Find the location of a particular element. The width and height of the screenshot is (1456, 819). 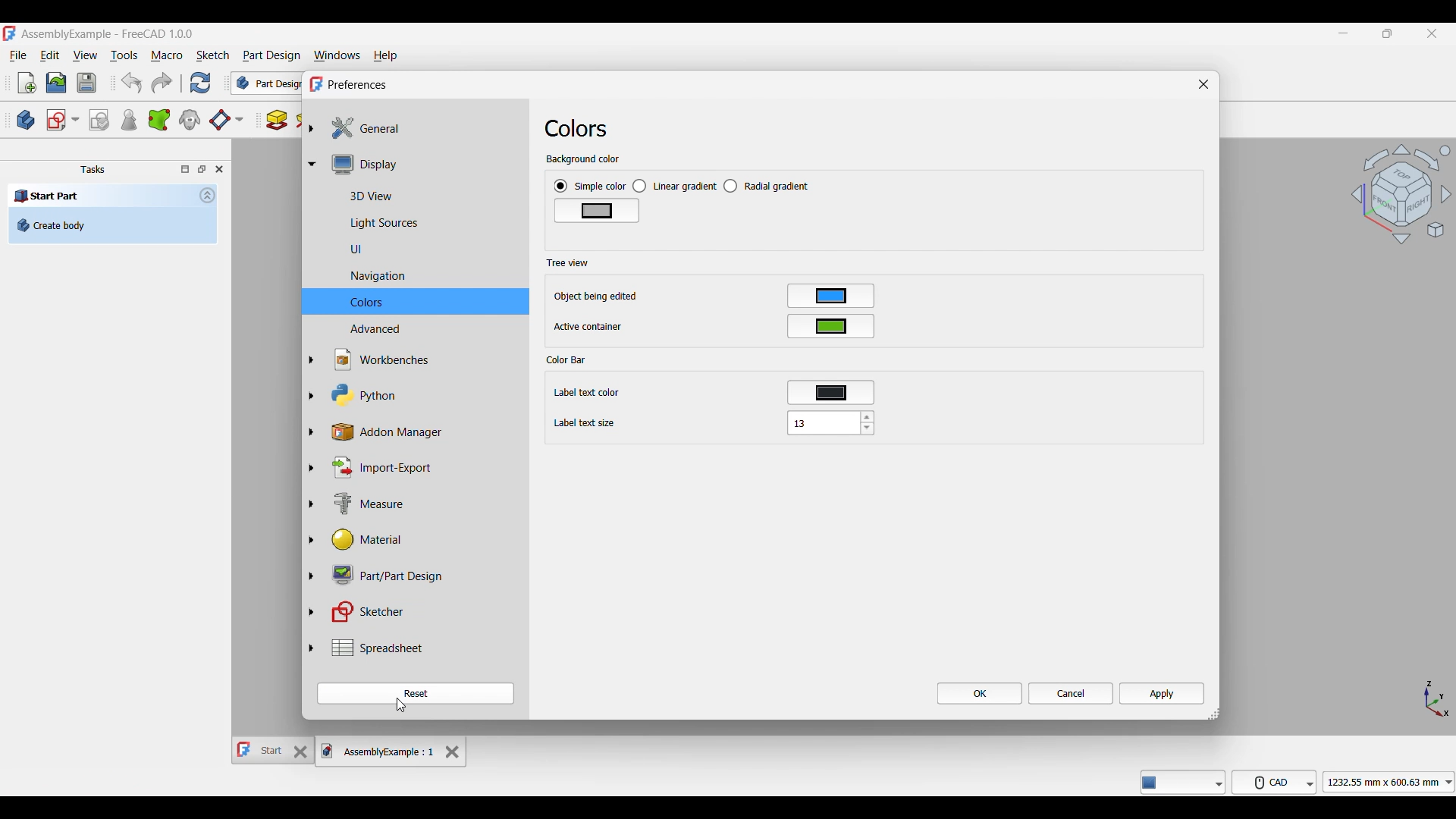

Object being edited is located at coordinates (598, 297).